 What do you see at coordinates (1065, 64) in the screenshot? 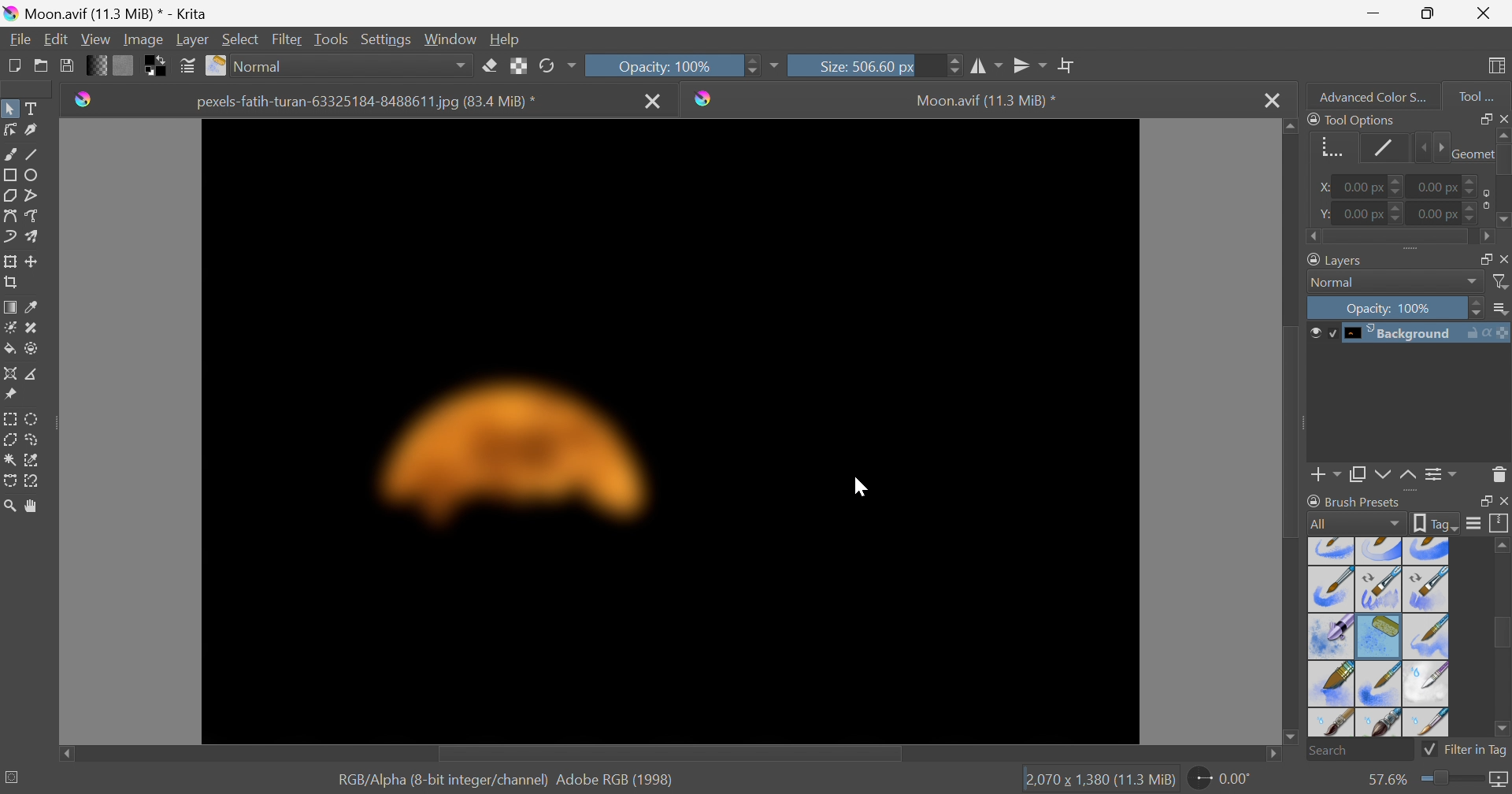
I see `Wrap around mode` at bounding box center [1065, 64].